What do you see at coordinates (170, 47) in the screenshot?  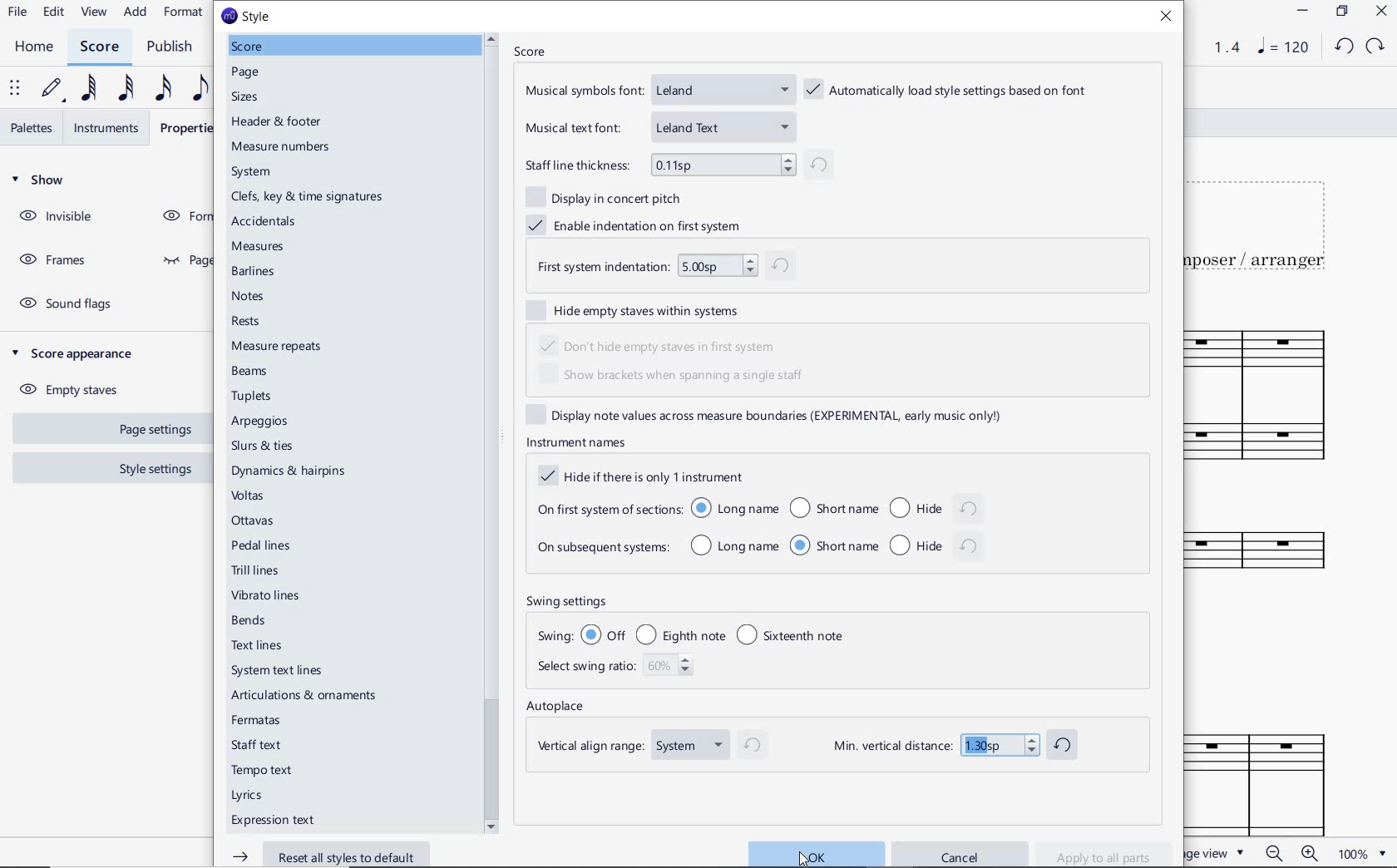 I see `PUBLISH` at bounding box center [170, 47].